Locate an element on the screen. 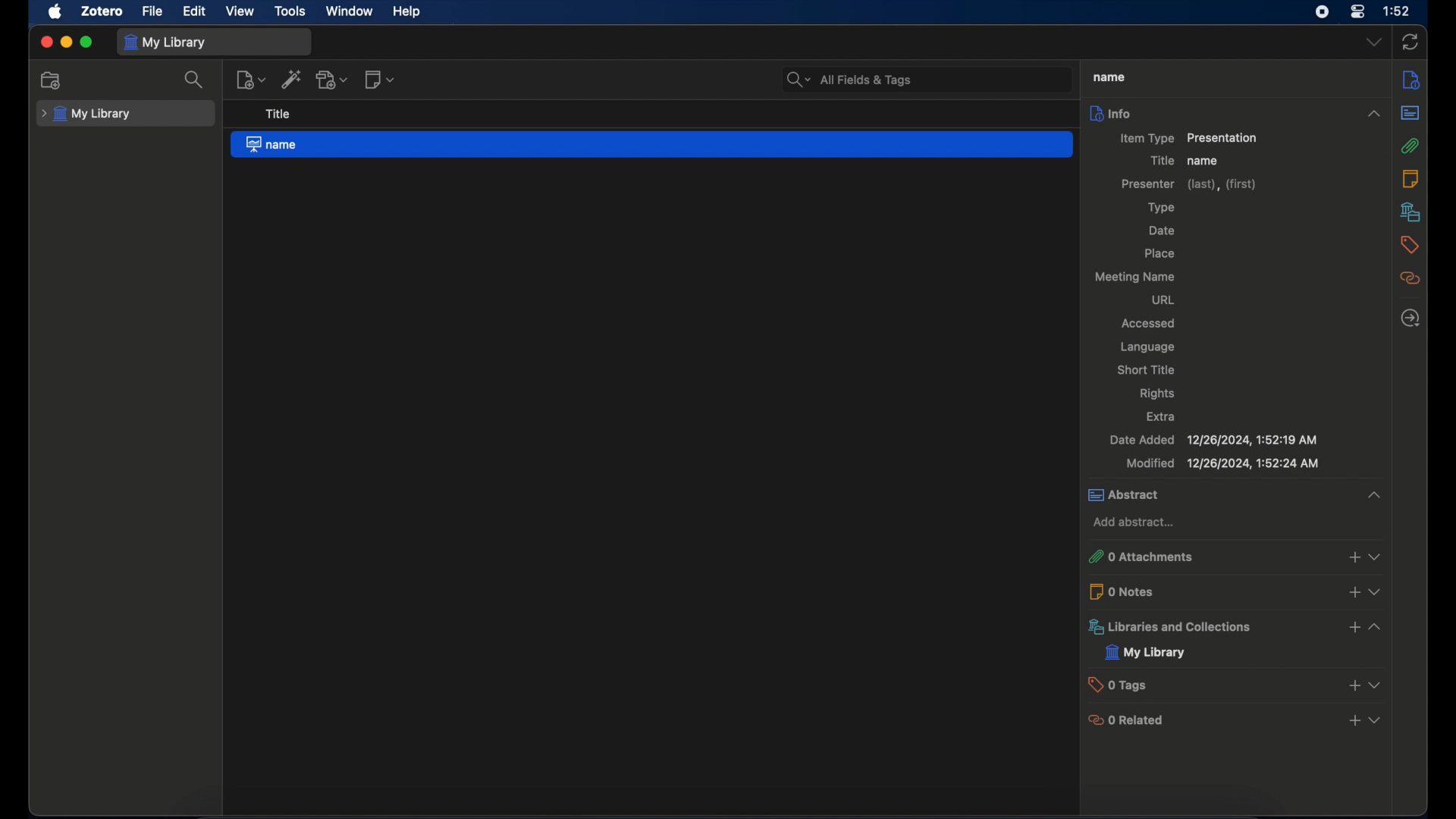  libraries is located at coordinates (1237, 626).